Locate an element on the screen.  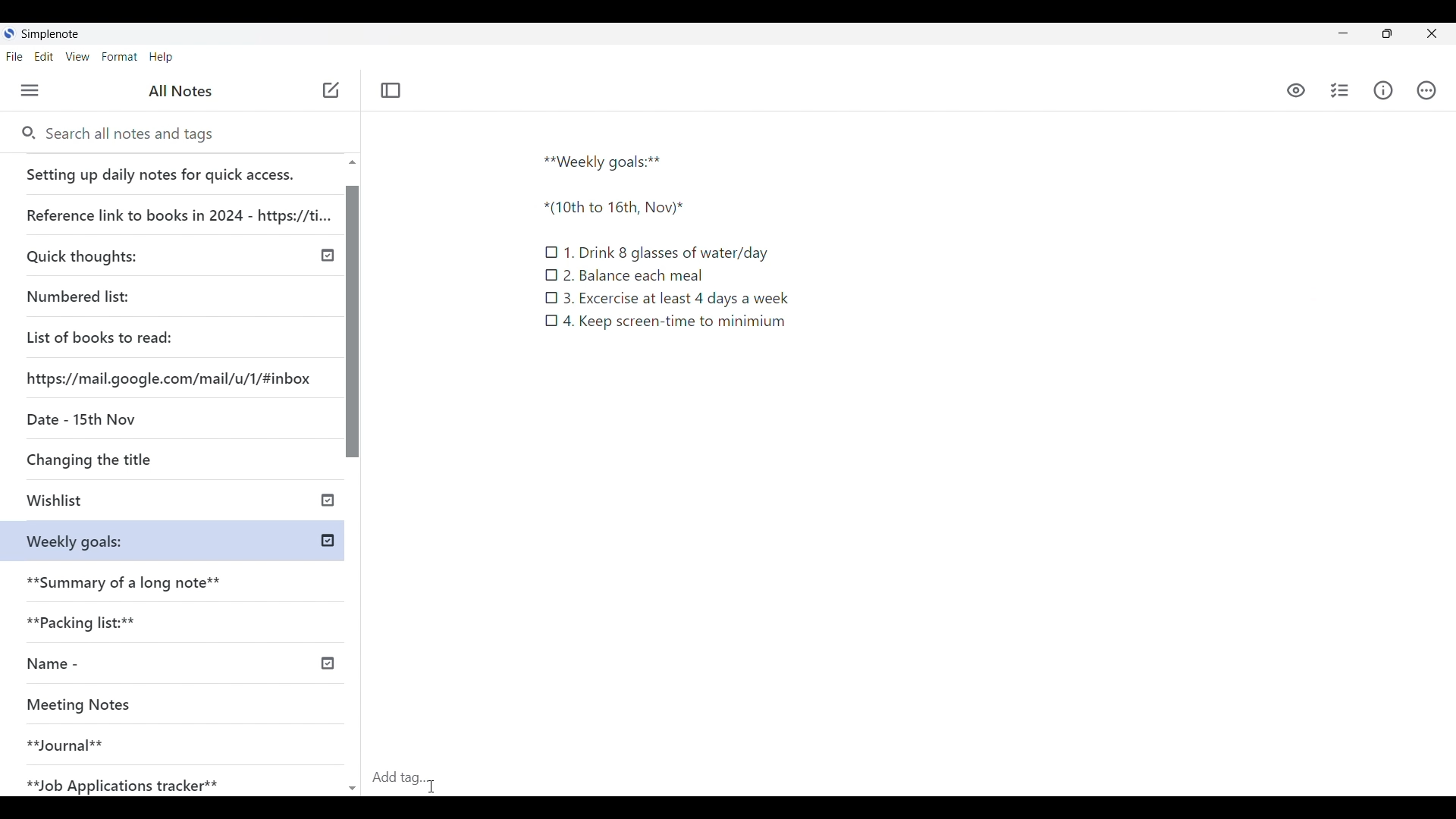
Cursor is located at coordinates (431, 786).